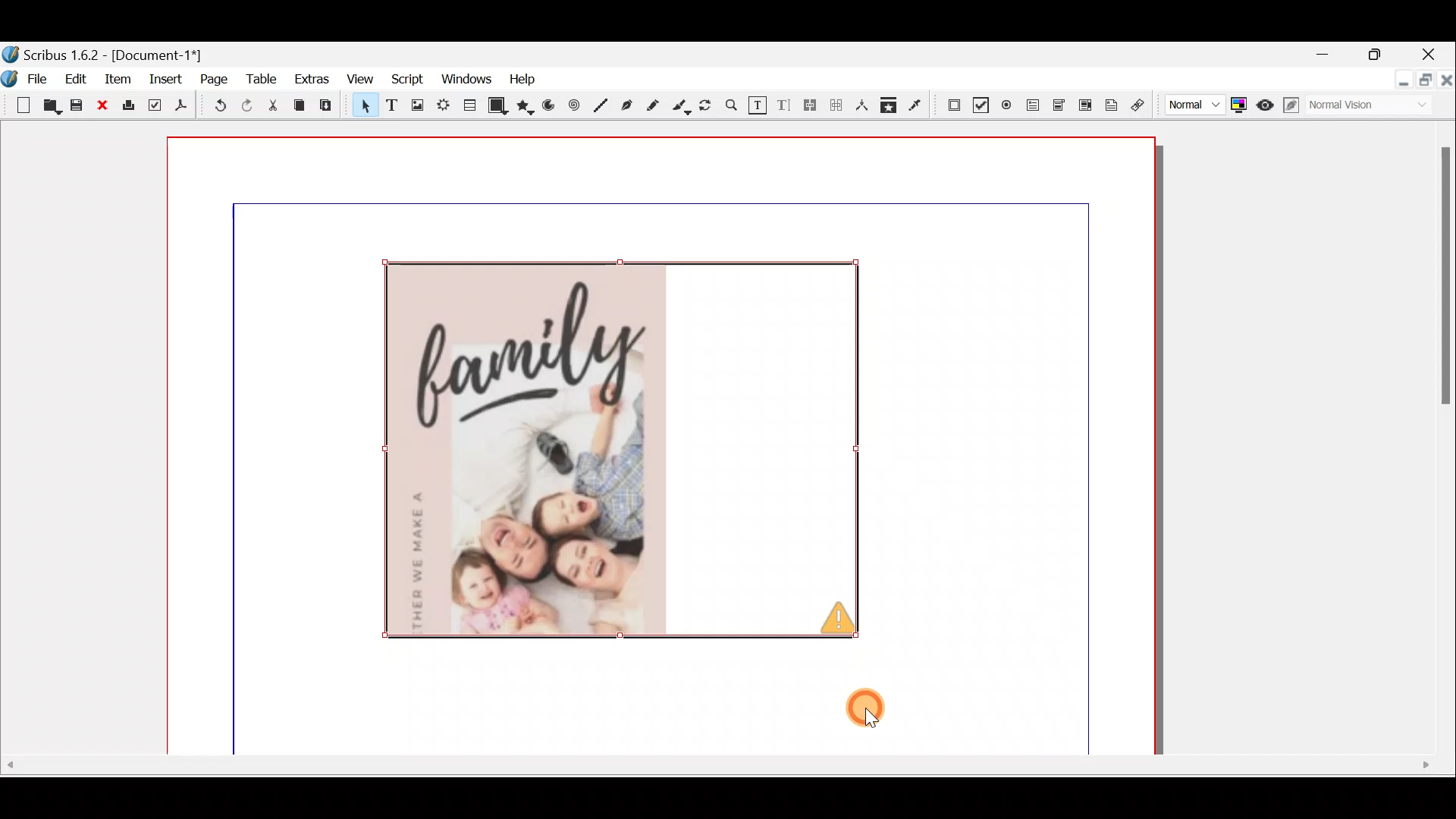 The height and width of the screenshot is (819, 1456). Describe the element at coordinates (1191, 102) in the screenshot. I see `Select image preview quality` at that location.